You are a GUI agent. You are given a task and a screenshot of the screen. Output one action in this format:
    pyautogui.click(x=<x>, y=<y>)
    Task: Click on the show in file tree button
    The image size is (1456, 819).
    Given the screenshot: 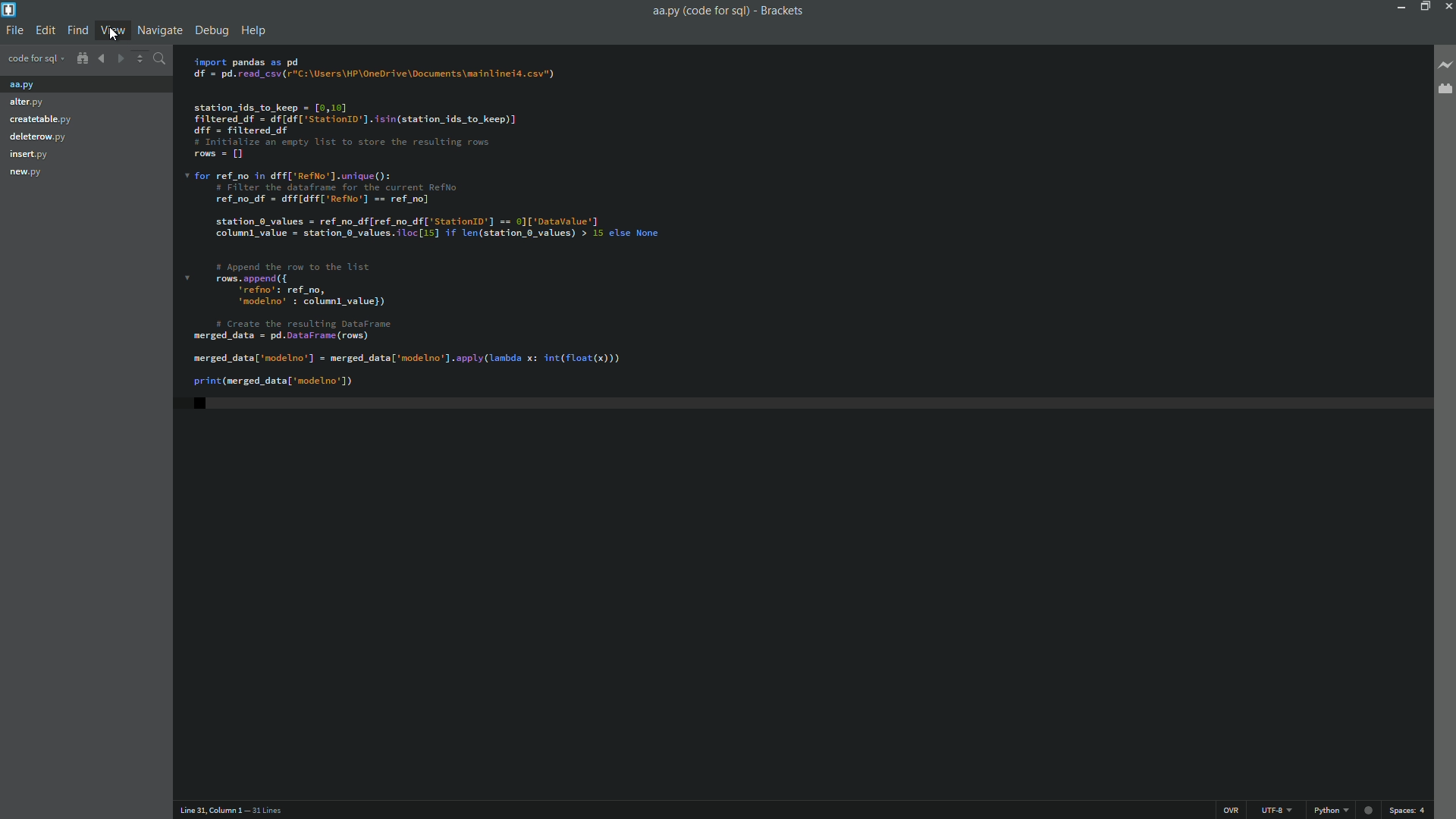 What is the action you would take?
    pyautogui.click(x=75, y=58)
    